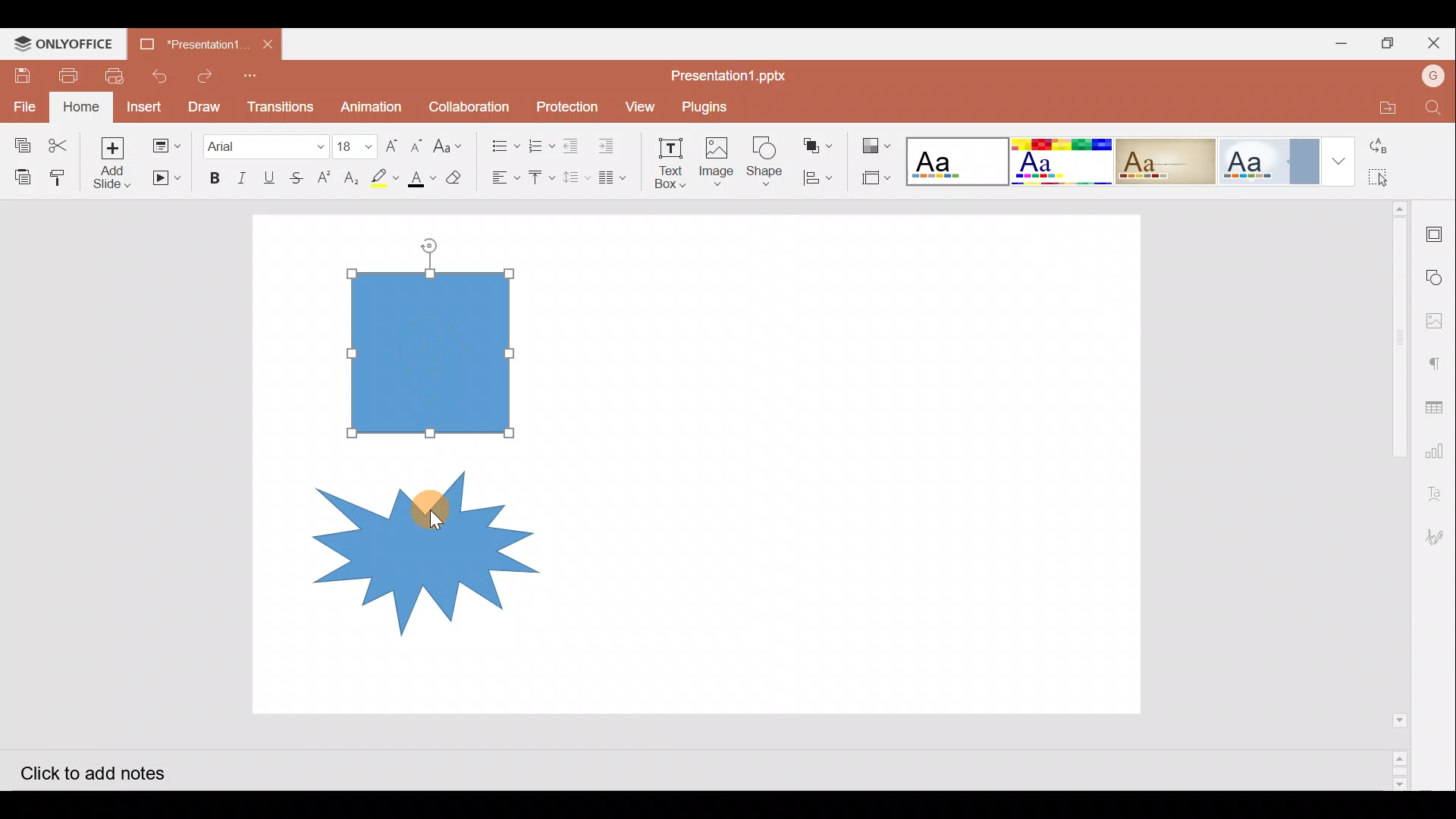  Describe the element at coordinates (58, 140) in the screenshot. I see `Cut` at that location.